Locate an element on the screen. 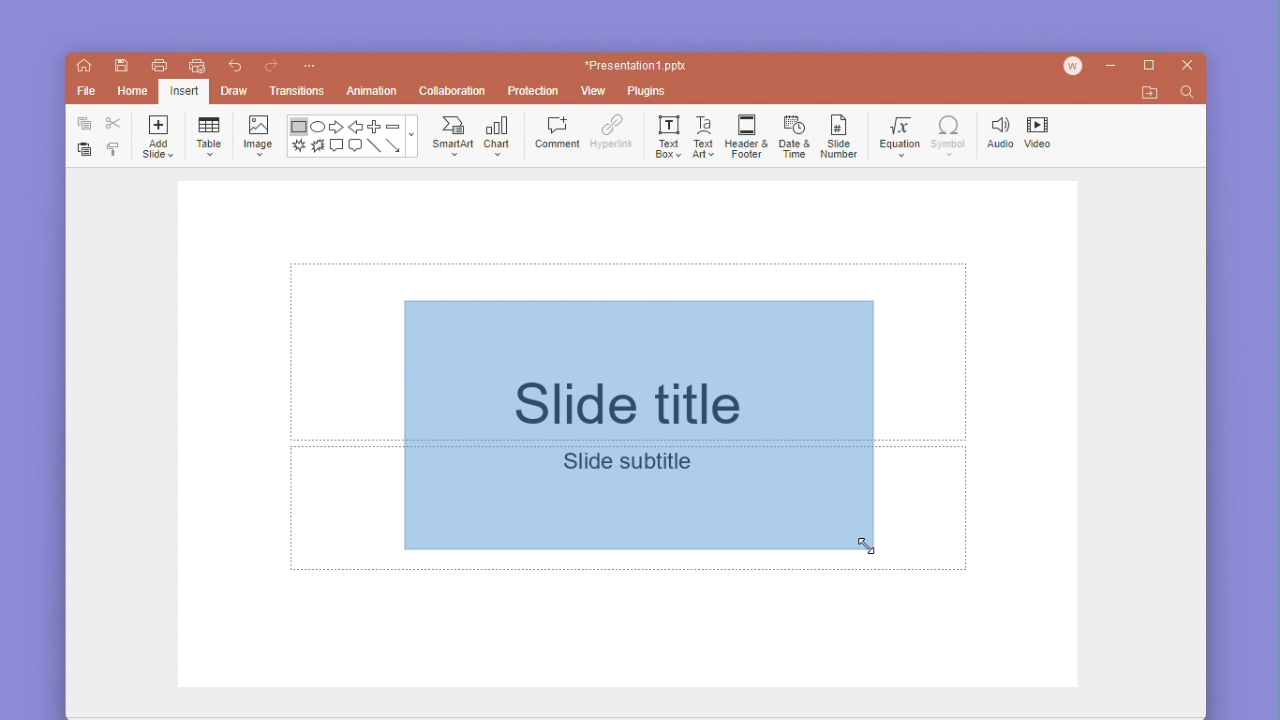 This screenshot has width=1280, height=720. cut is located at coordinates (110, 125).